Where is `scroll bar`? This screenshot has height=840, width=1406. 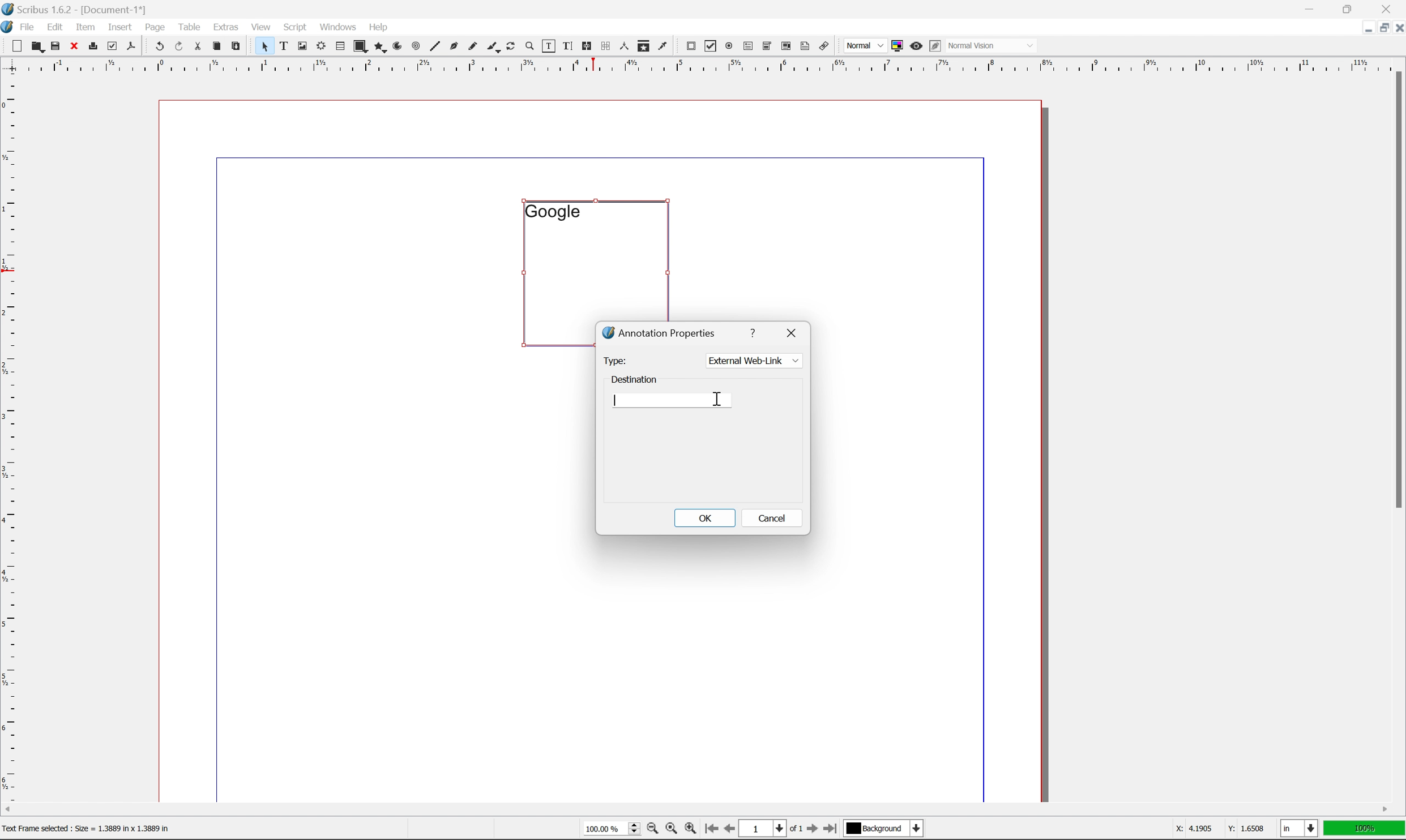 scroll bar is located at coordinates (696, 809).